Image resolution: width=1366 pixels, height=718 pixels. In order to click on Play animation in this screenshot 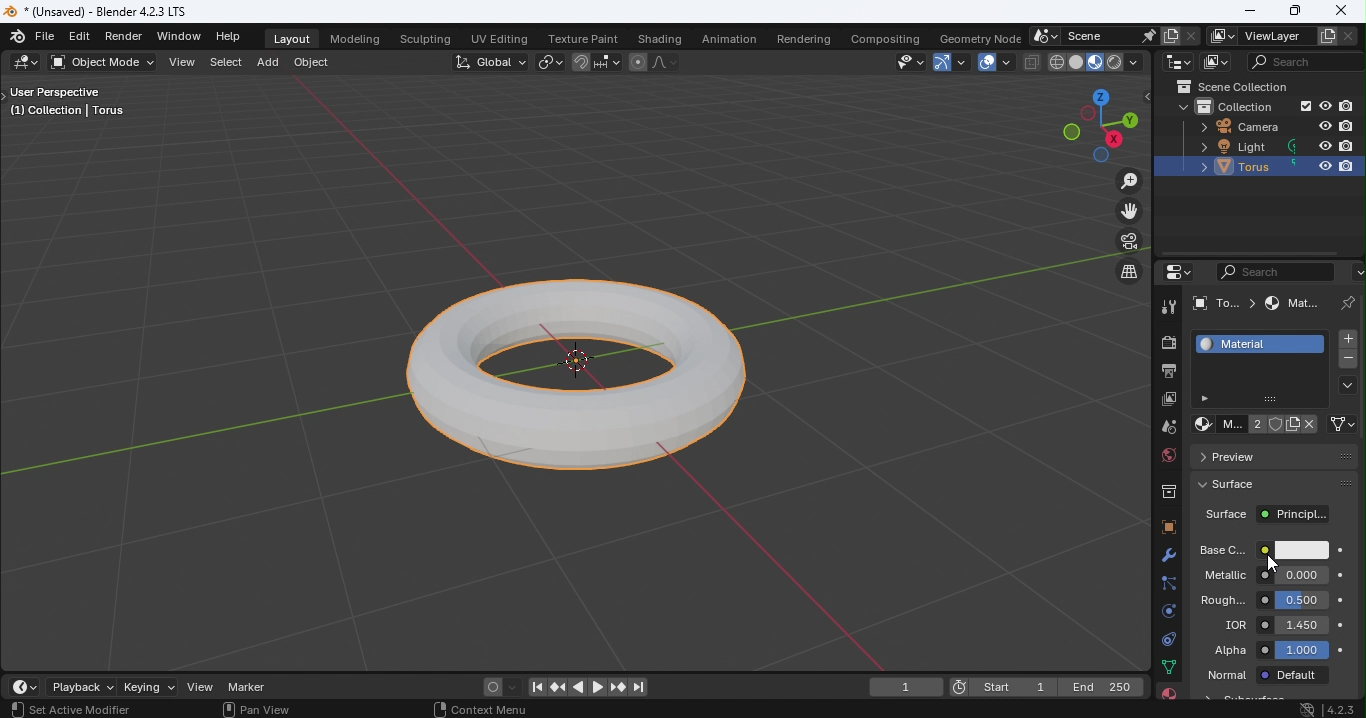, I will do `click(577, 687)`.